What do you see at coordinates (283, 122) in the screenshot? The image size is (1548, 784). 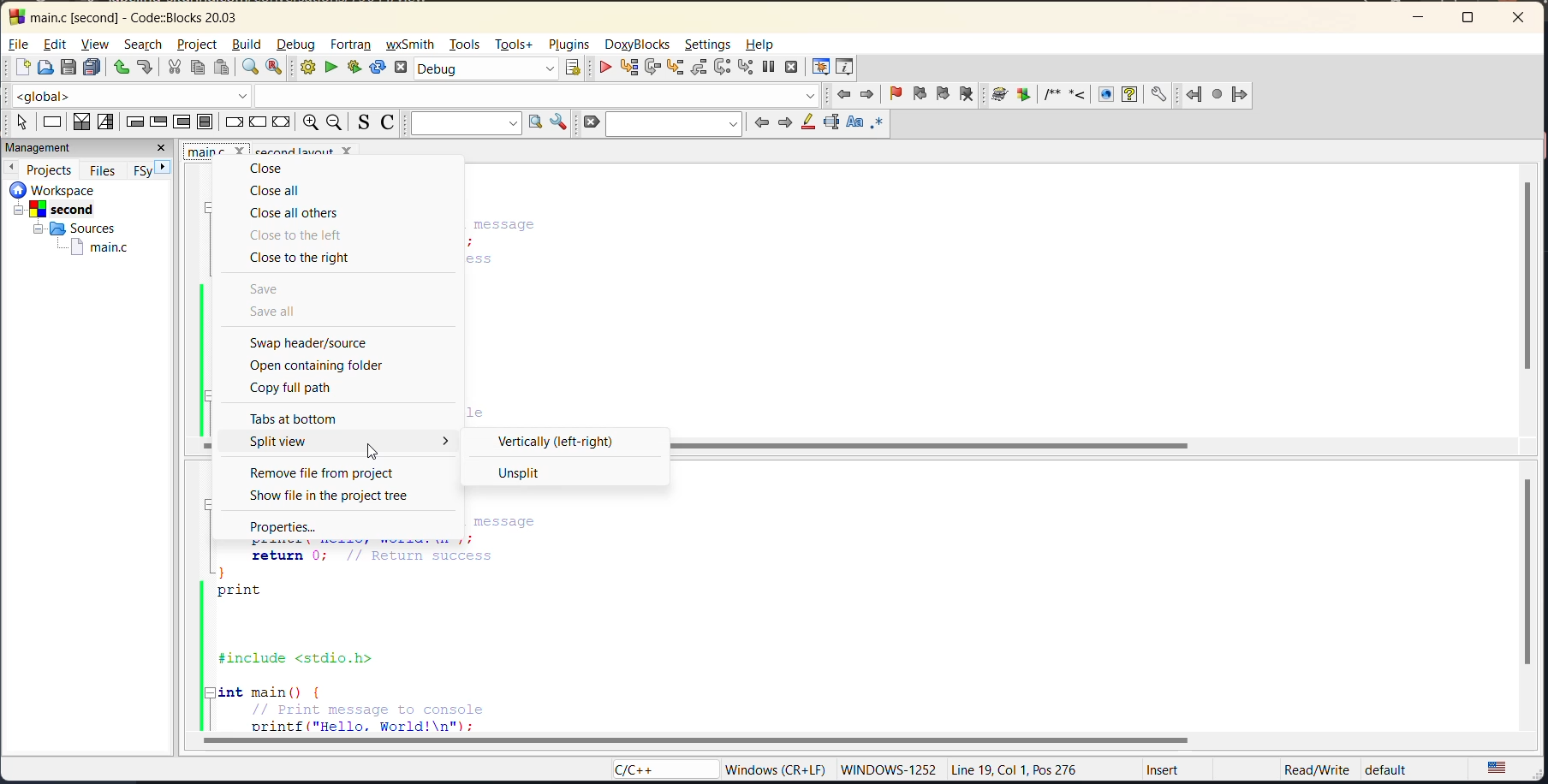 I see `return  instruction` at bounding box center [283, 122].